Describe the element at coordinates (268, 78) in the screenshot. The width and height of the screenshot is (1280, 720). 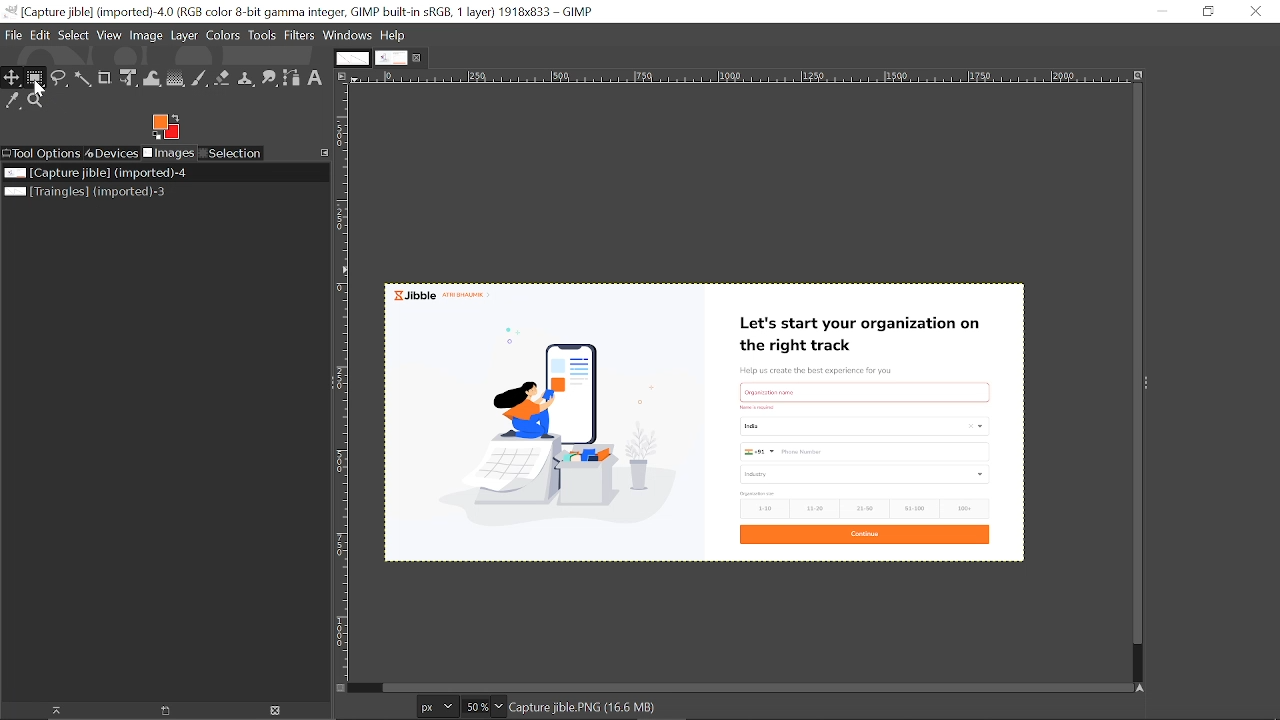
I see `Smudge tool` at that location.